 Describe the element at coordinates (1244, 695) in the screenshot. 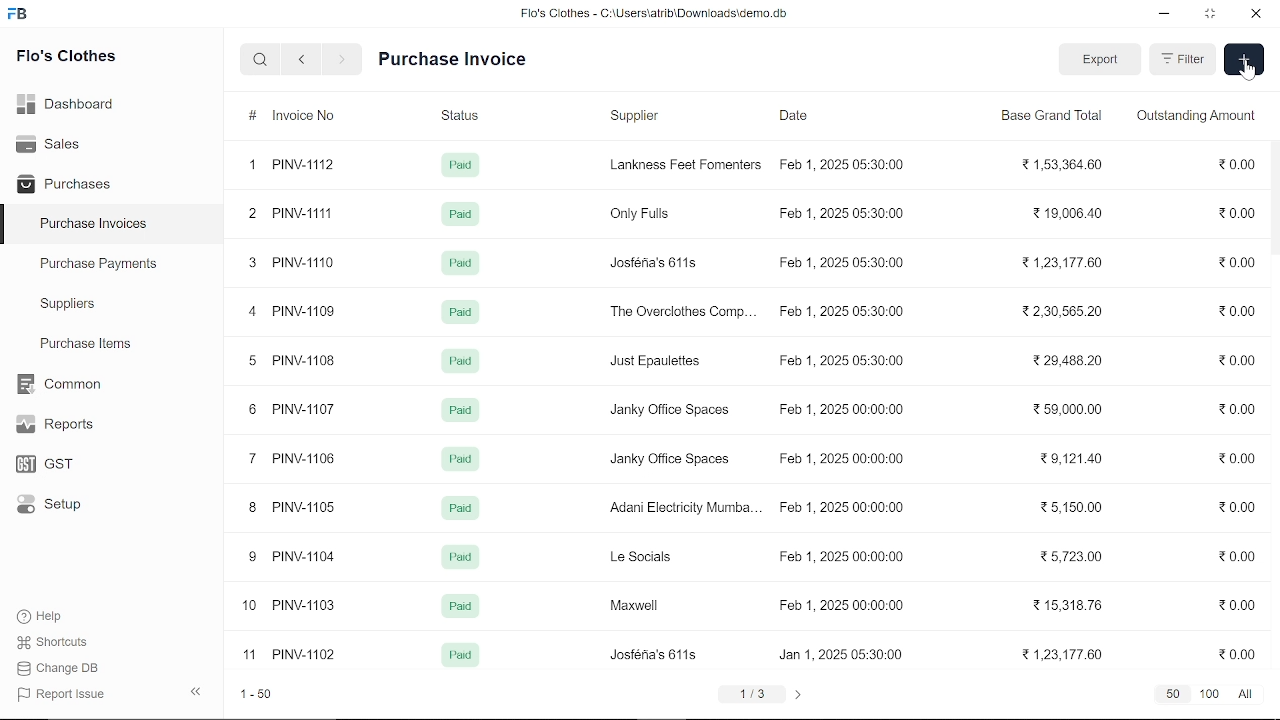

I see `All` at that location.